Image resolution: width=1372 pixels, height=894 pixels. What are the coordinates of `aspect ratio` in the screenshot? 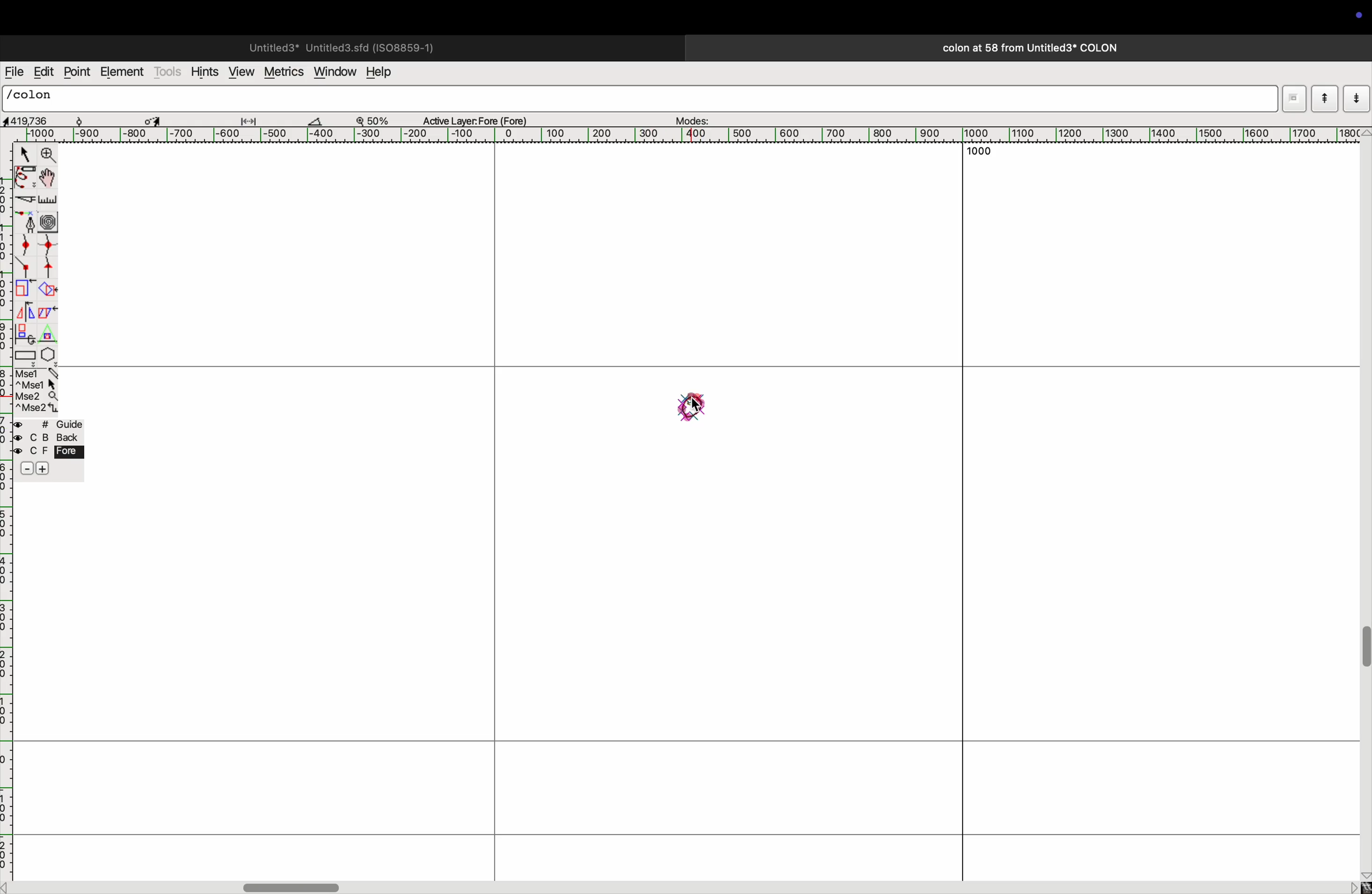 It's located at (31, 121).